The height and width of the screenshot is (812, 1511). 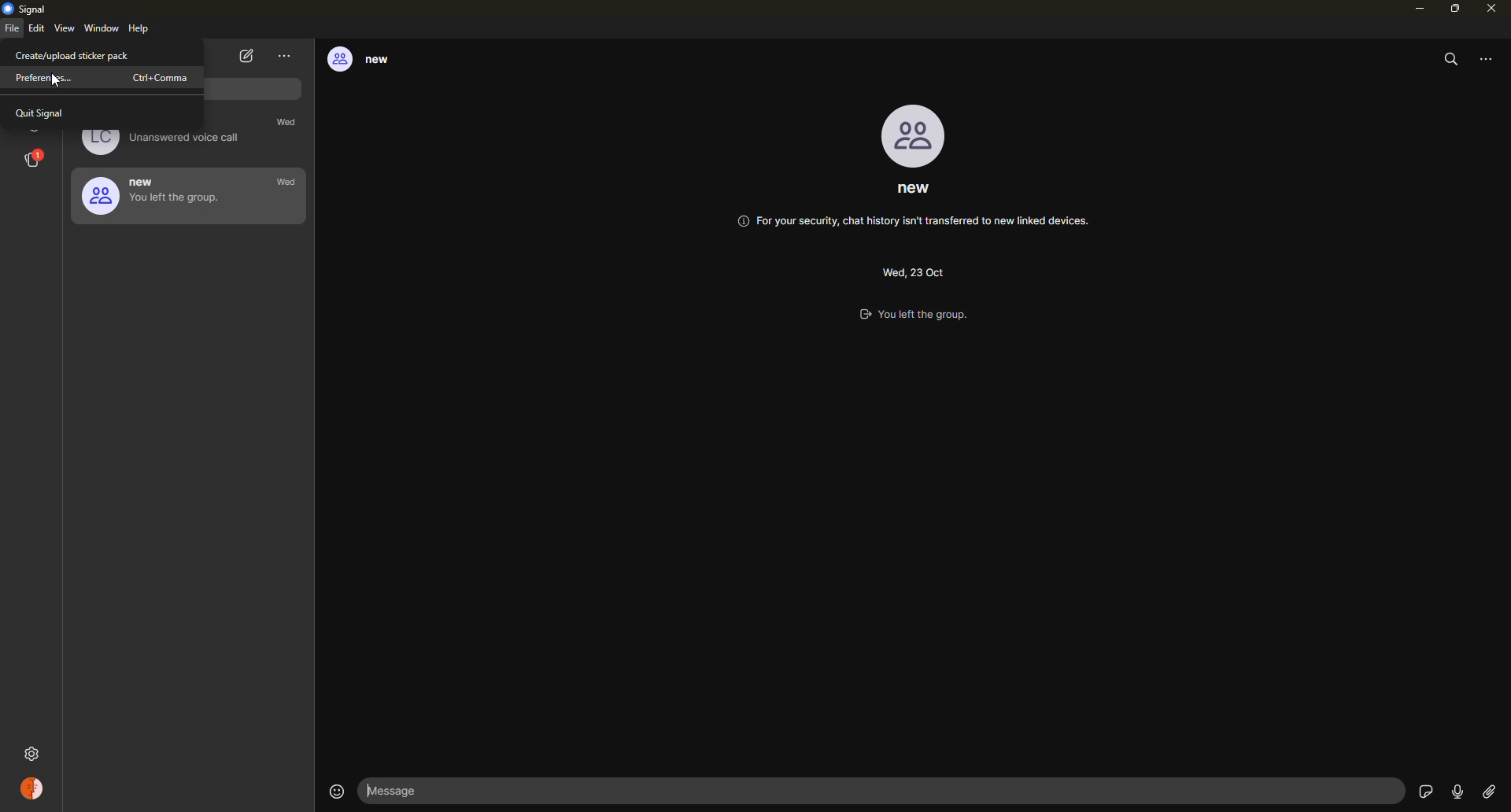 What do you see at coordinates (36, 29) in the screenshot?
I see `edit` at bounding box center [36, 29].